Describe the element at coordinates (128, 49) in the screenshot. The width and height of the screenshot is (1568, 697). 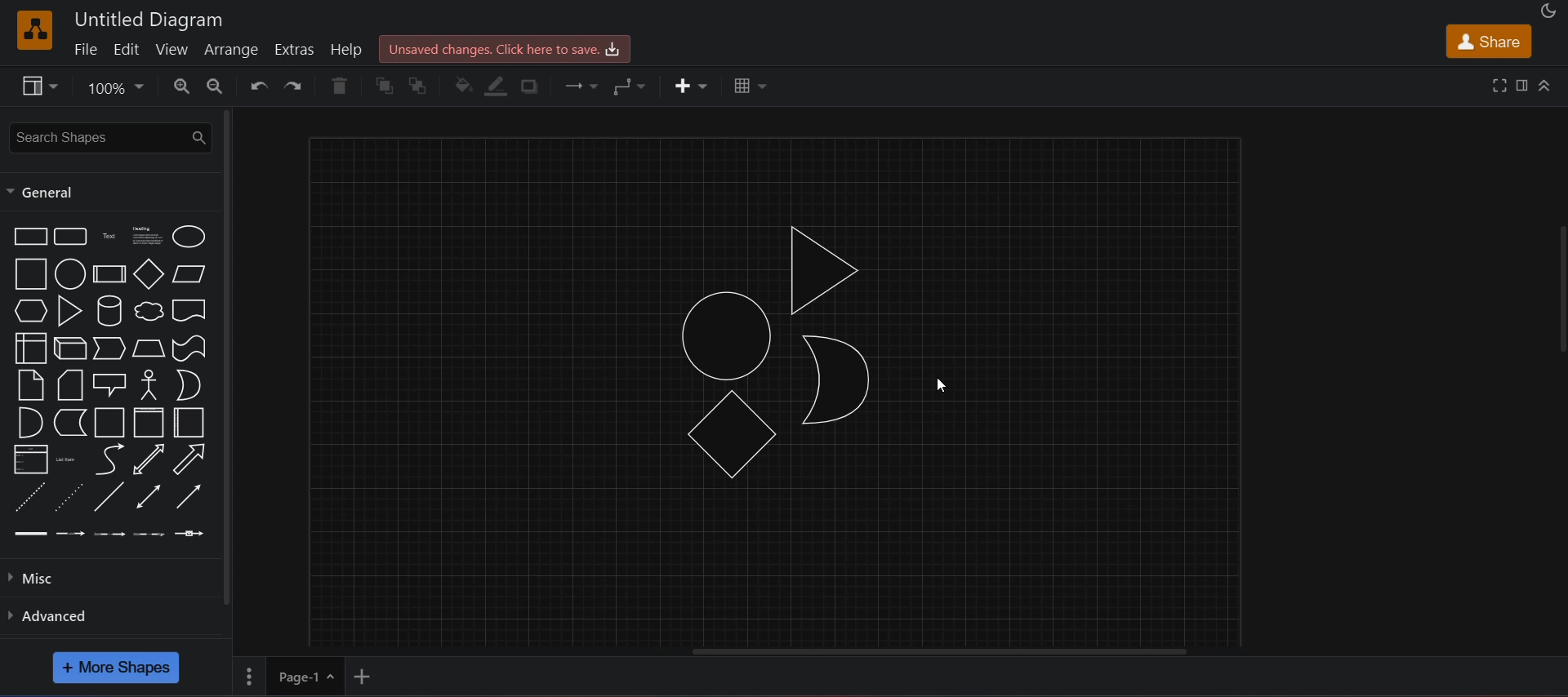
I see `edit` at that location.